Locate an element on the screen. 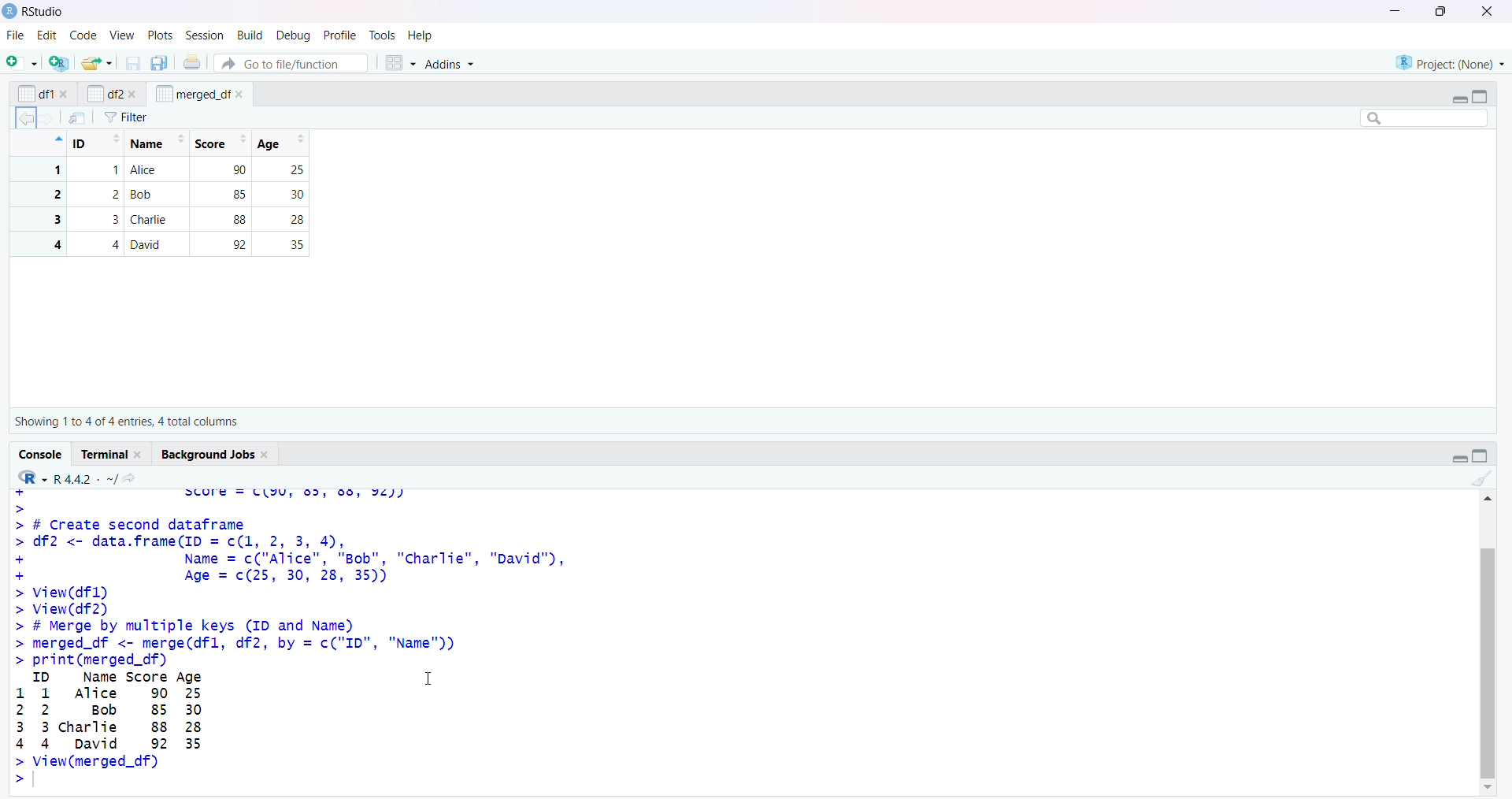  close is located at coordinates (240, 95).